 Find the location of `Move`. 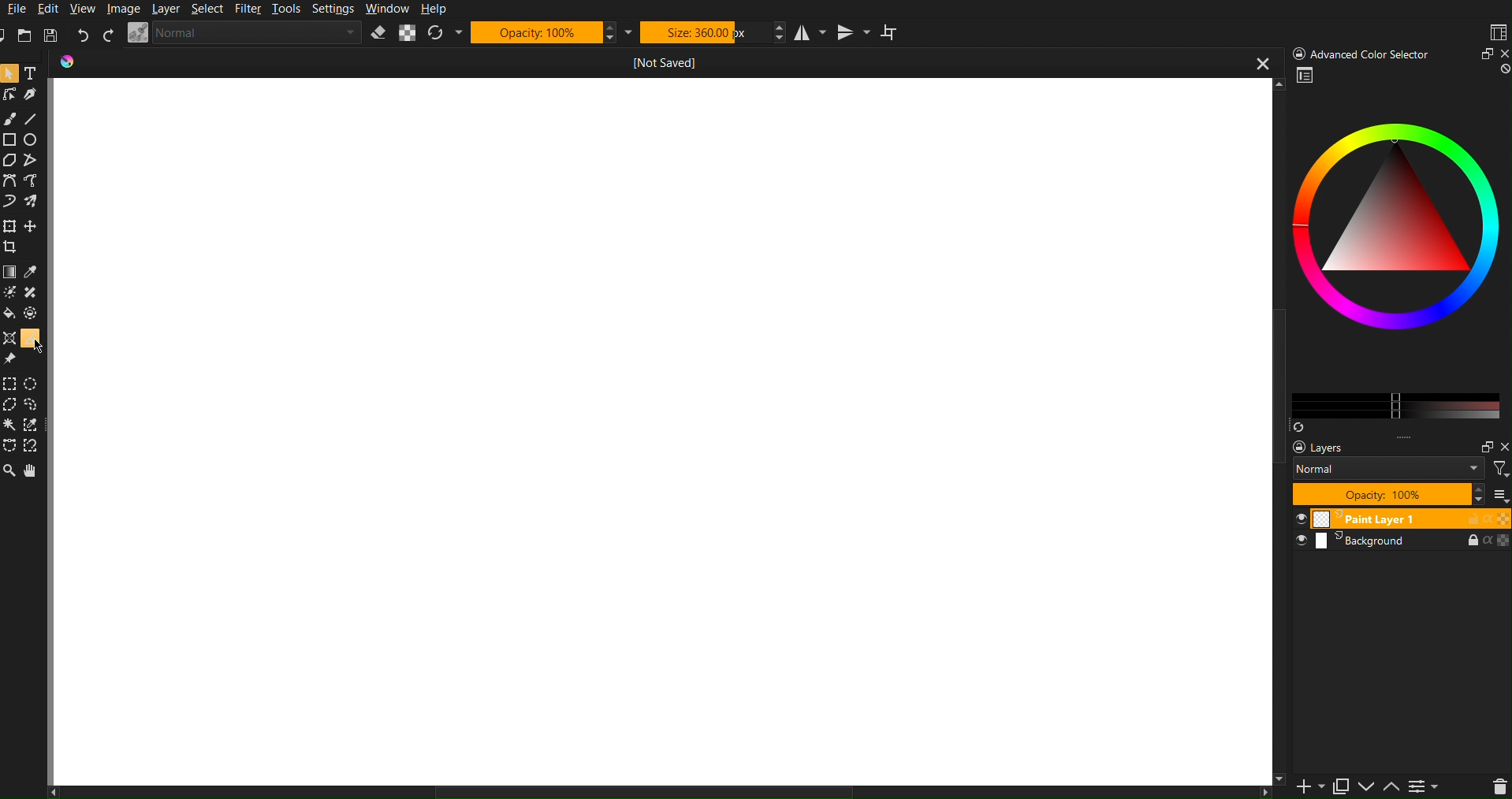

Move is located at coordinates (32, 470).